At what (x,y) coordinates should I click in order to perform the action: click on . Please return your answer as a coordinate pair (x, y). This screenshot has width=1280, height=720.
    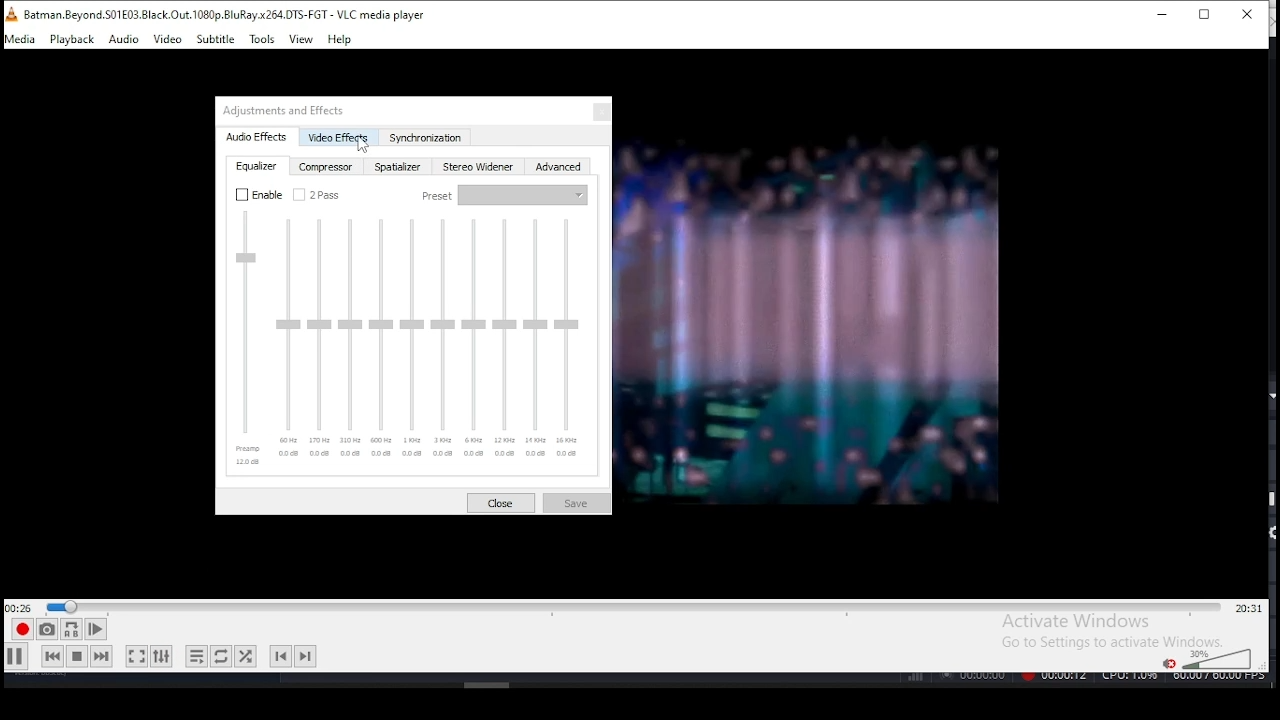
    Looking at the image, I should click on (362, 149).